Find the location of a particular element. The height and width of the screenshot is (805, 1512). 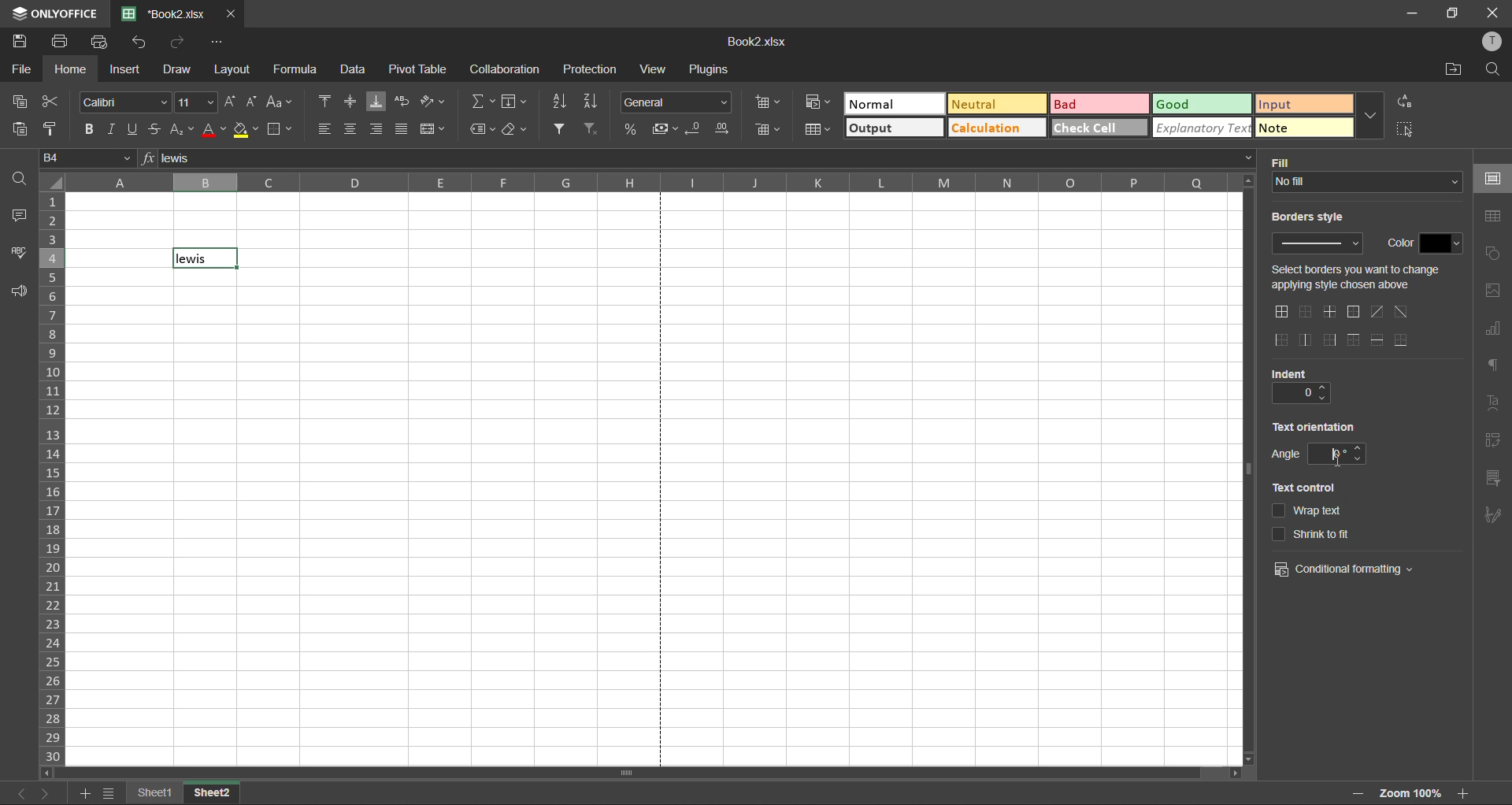

move left is located at coordinates (47, 773).